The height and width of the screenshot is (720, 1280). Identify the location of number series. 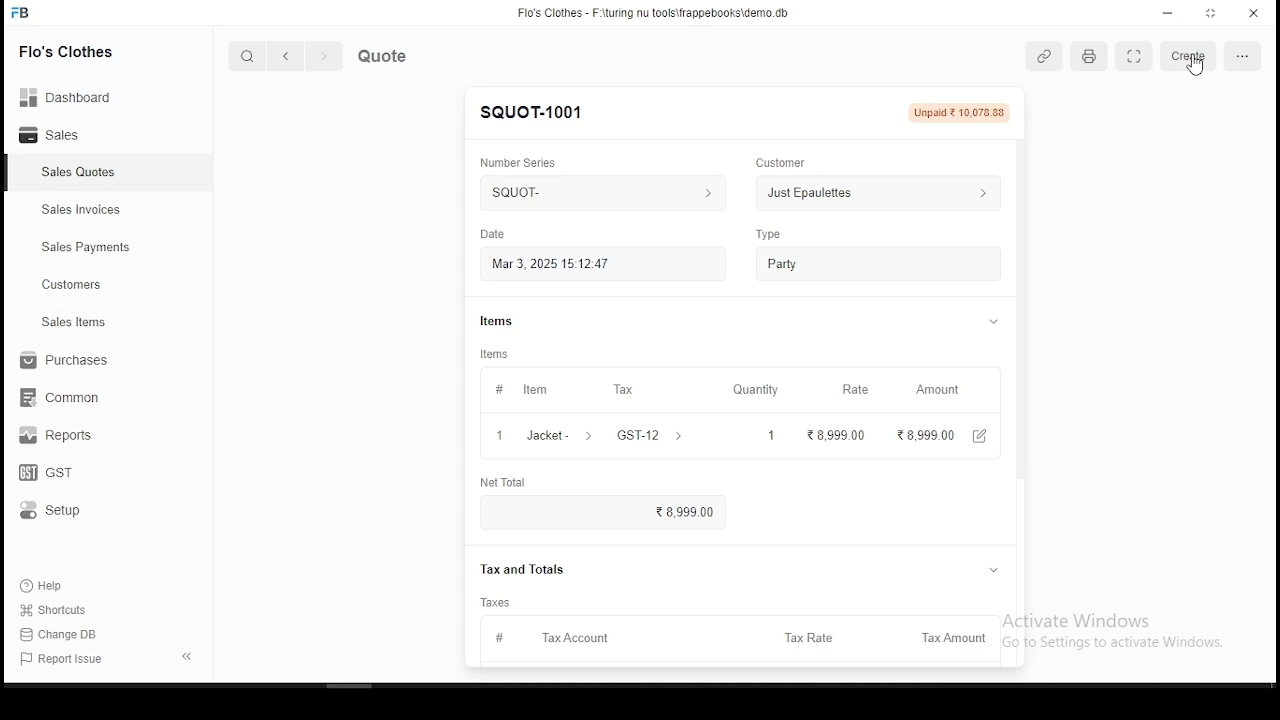
(523, 156).